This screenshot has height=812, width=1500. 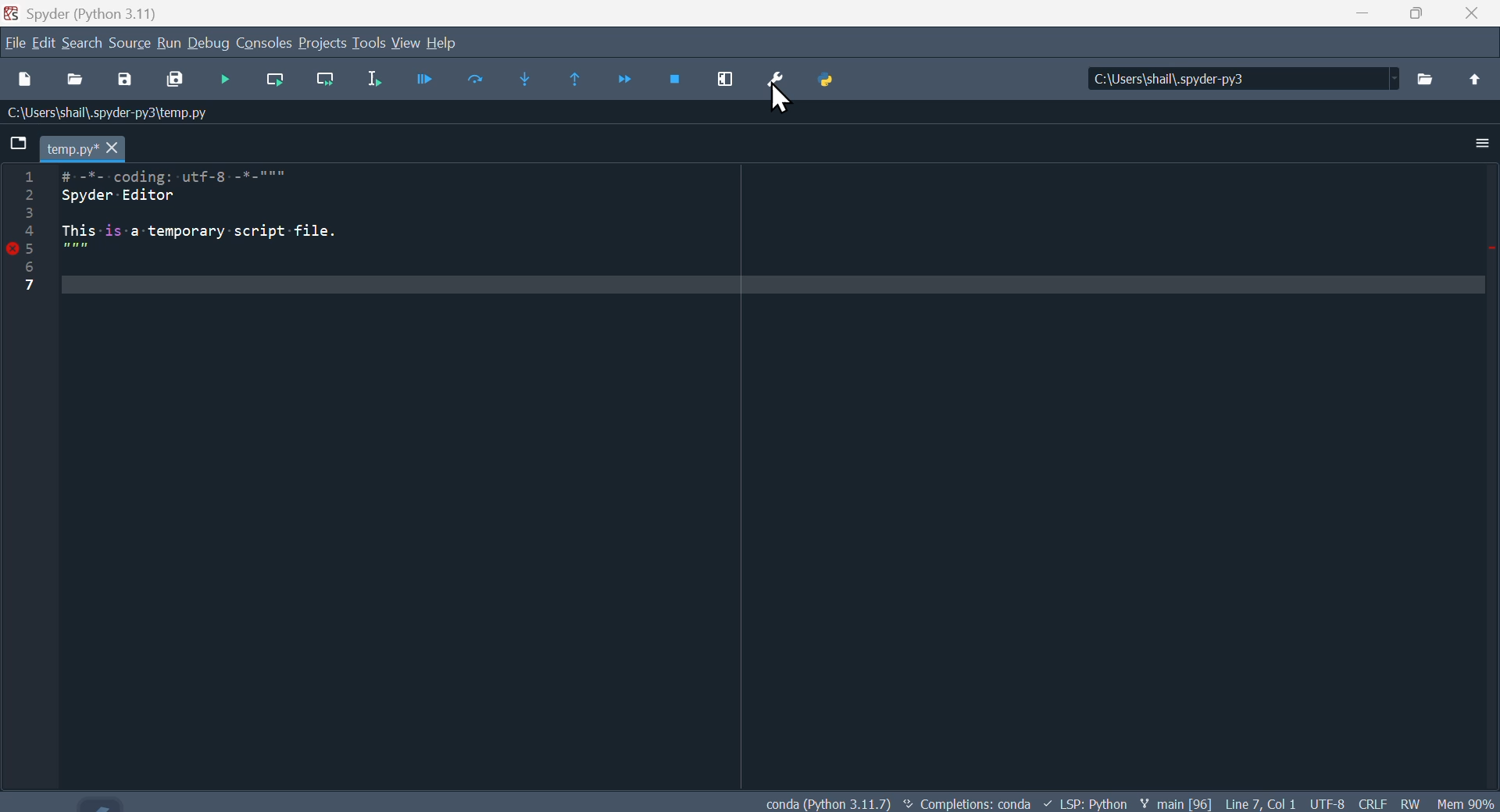 What do you see at coordinates (280, 80) in the screenshot?
I see `Run current line` at bounding box center [280, 80].